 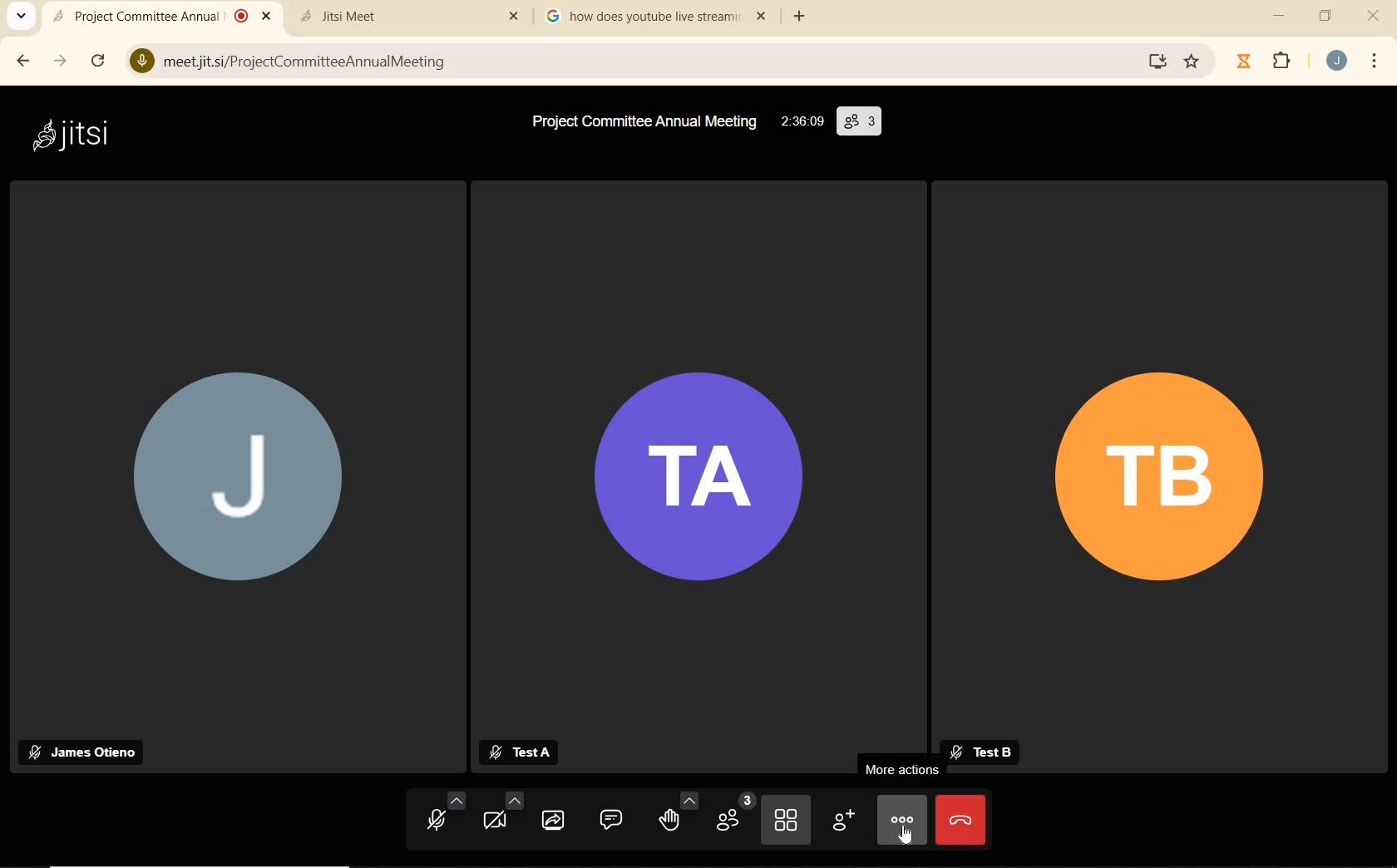 What do you see at coordinates (57, 62) in the screenshot?
I see `FORWARD` at bounding box center [57, 62].